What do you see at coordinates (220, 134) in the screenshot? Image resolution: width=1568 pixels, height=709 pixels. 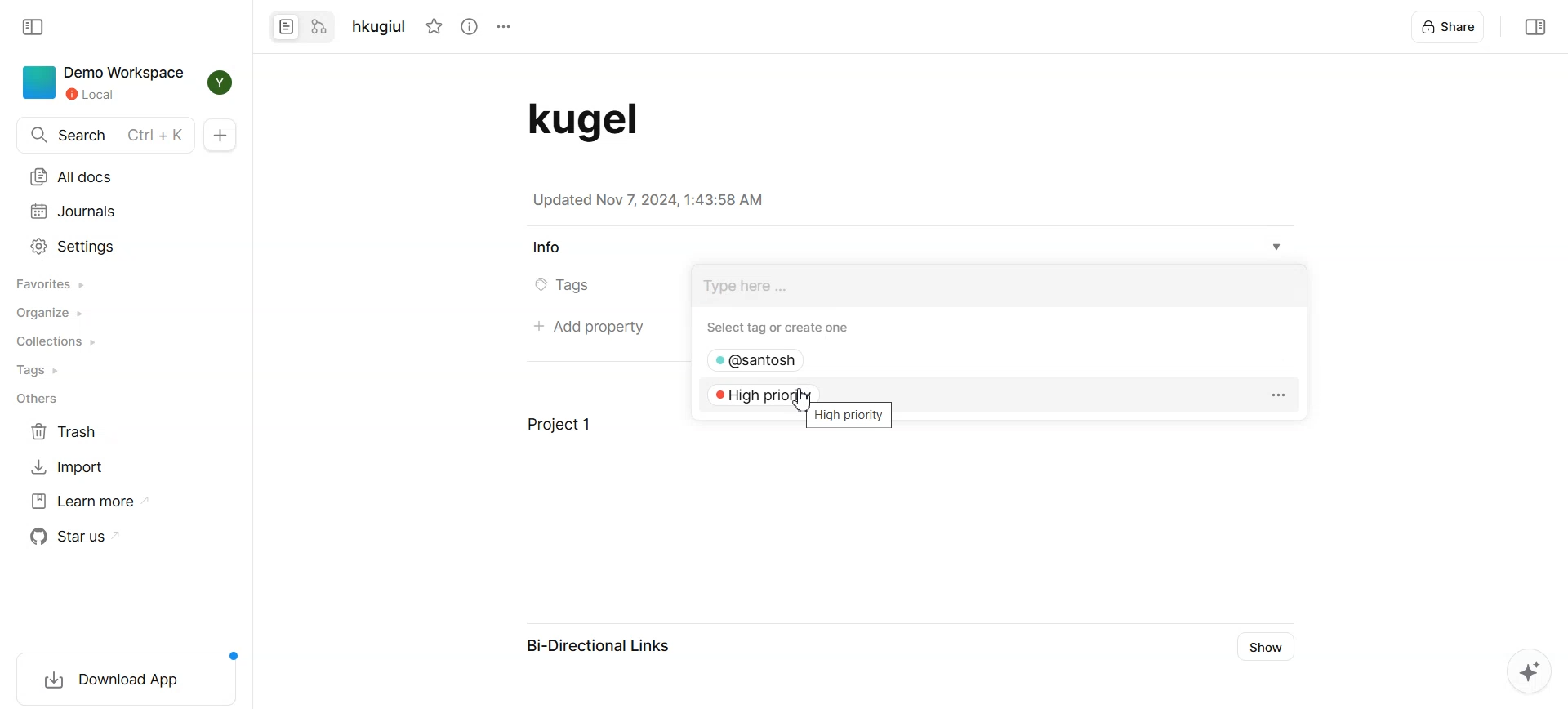 I see `New doc` at bounding box center [220, 134].